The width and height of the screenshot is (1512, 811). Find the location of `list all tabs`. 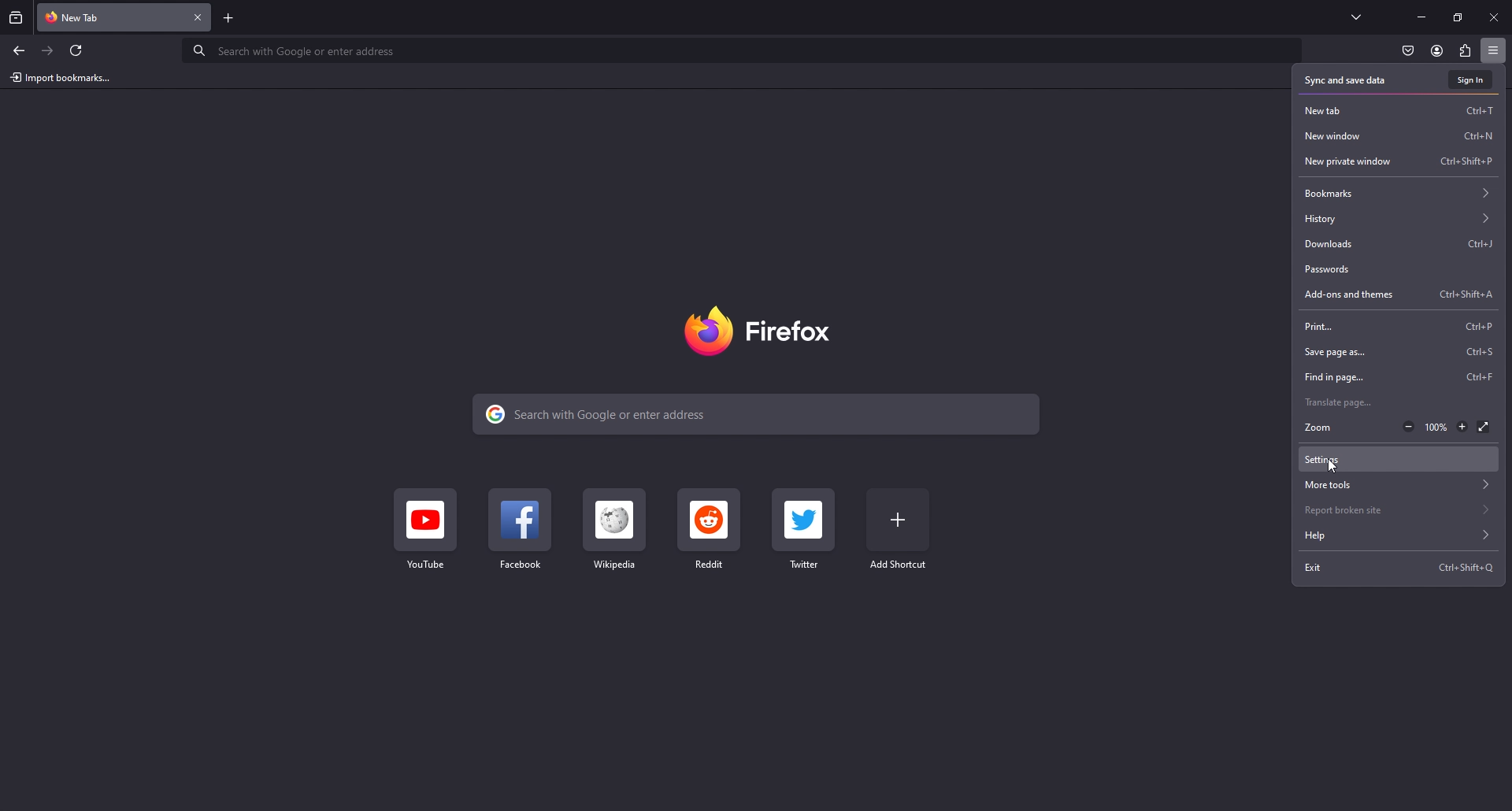

list all tabs is located at coordinates (1356, 14).